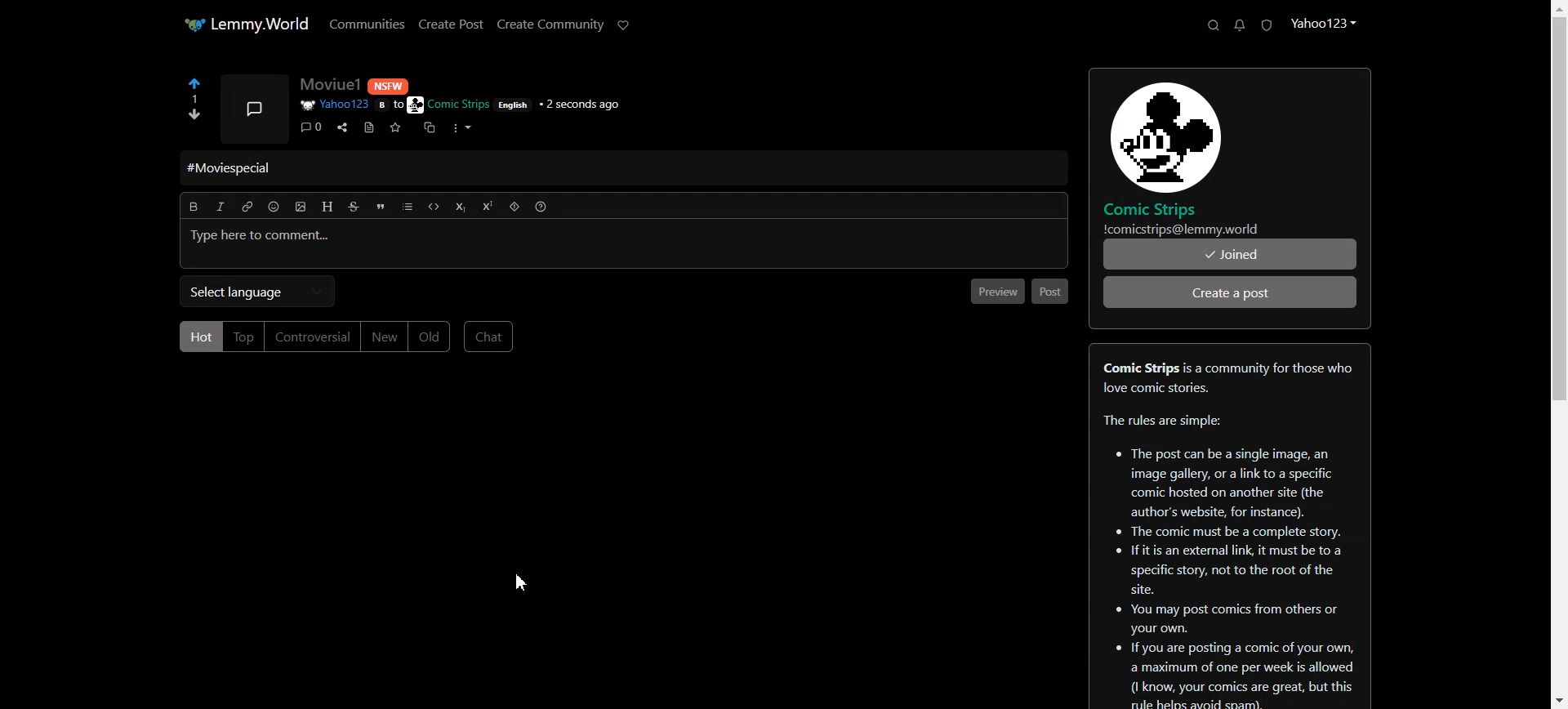 The width and height of the screenshot is (1568, 709). I want to click on Spoiler, so click(515, 207).